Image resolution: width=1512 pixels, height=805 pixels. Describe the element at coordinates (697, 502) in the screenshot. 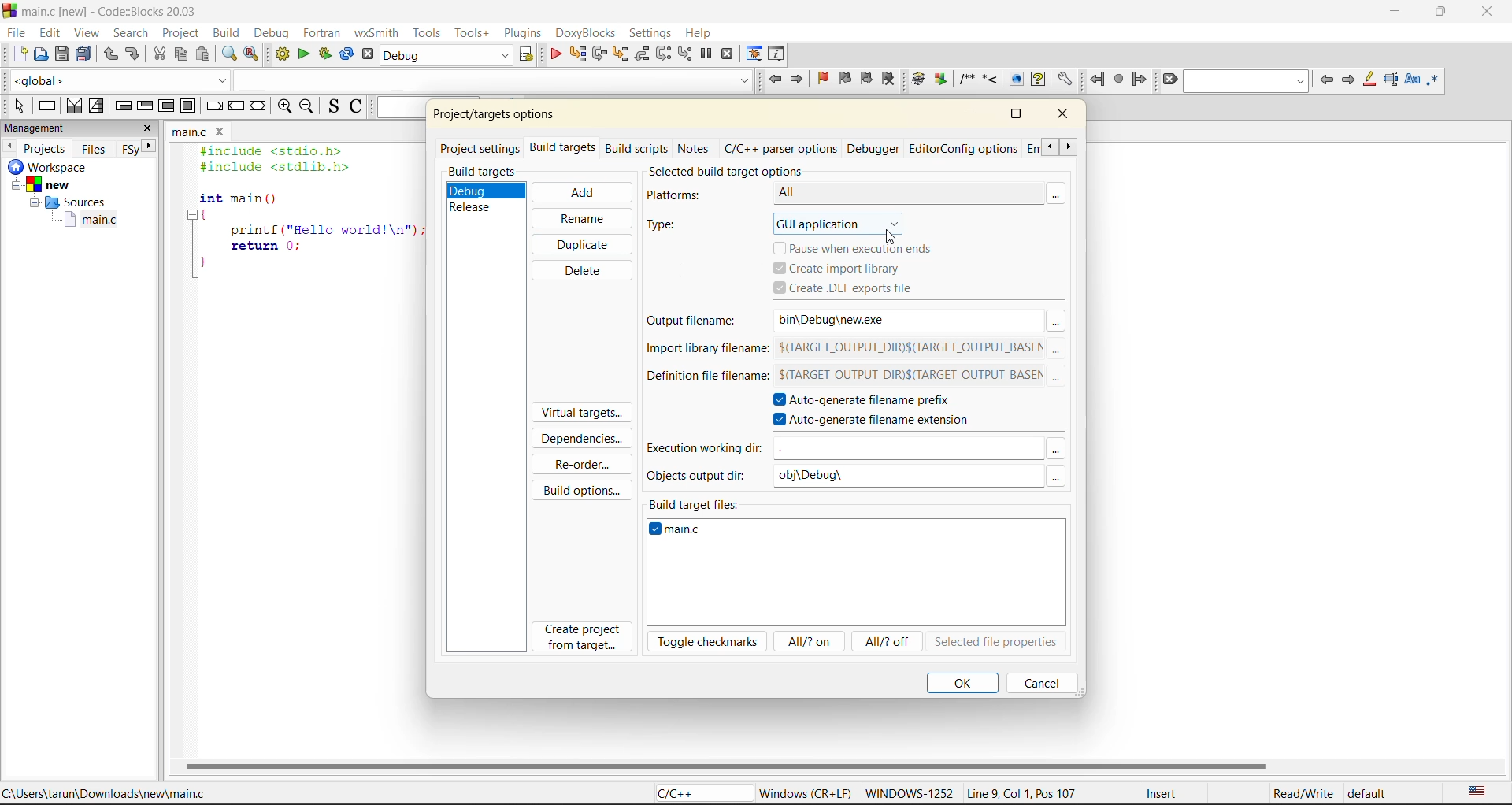

I see `build target files` at that location.